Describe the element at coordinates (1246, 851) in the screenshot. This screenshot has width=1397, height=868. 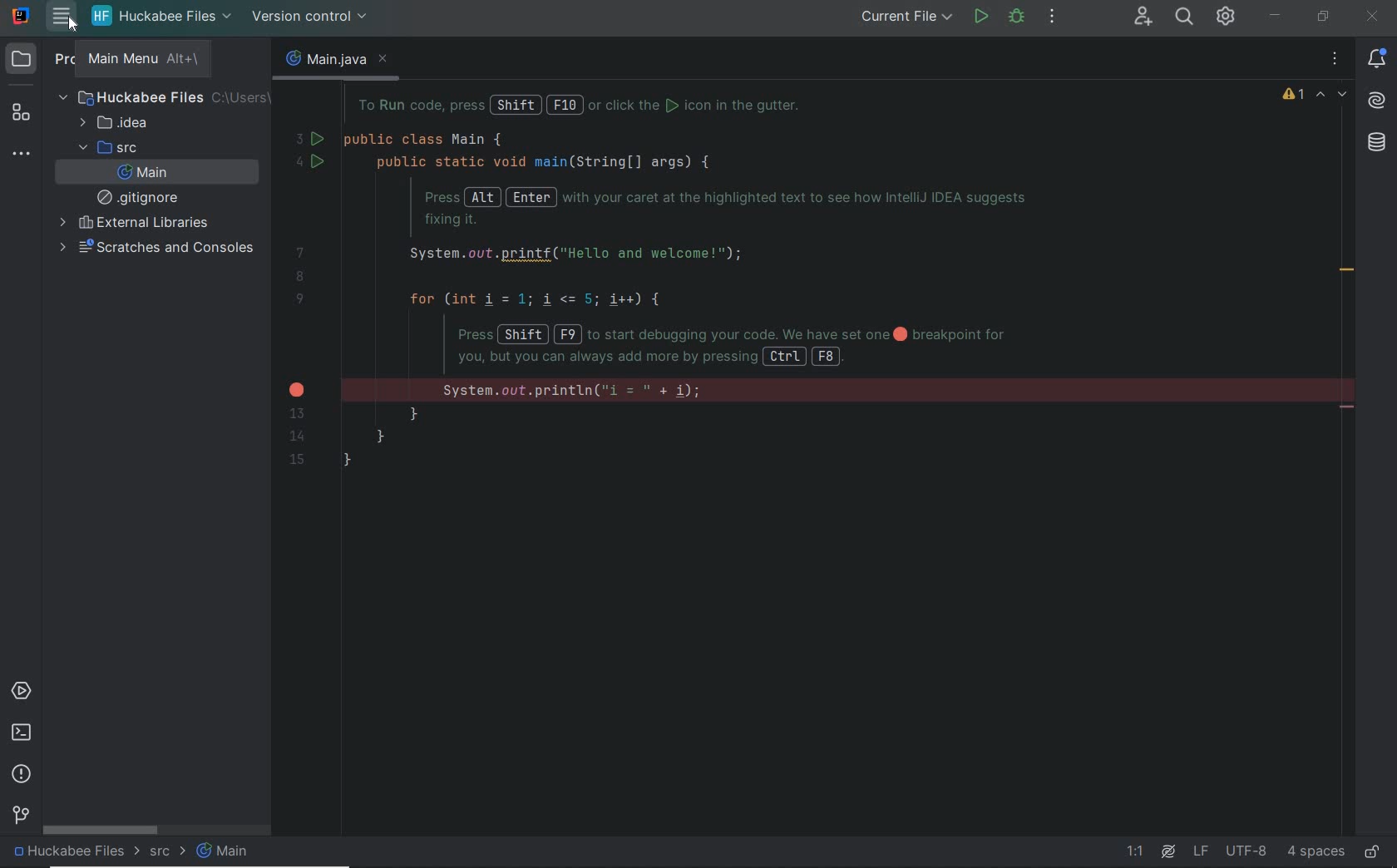
I see `file encoding` at that location.